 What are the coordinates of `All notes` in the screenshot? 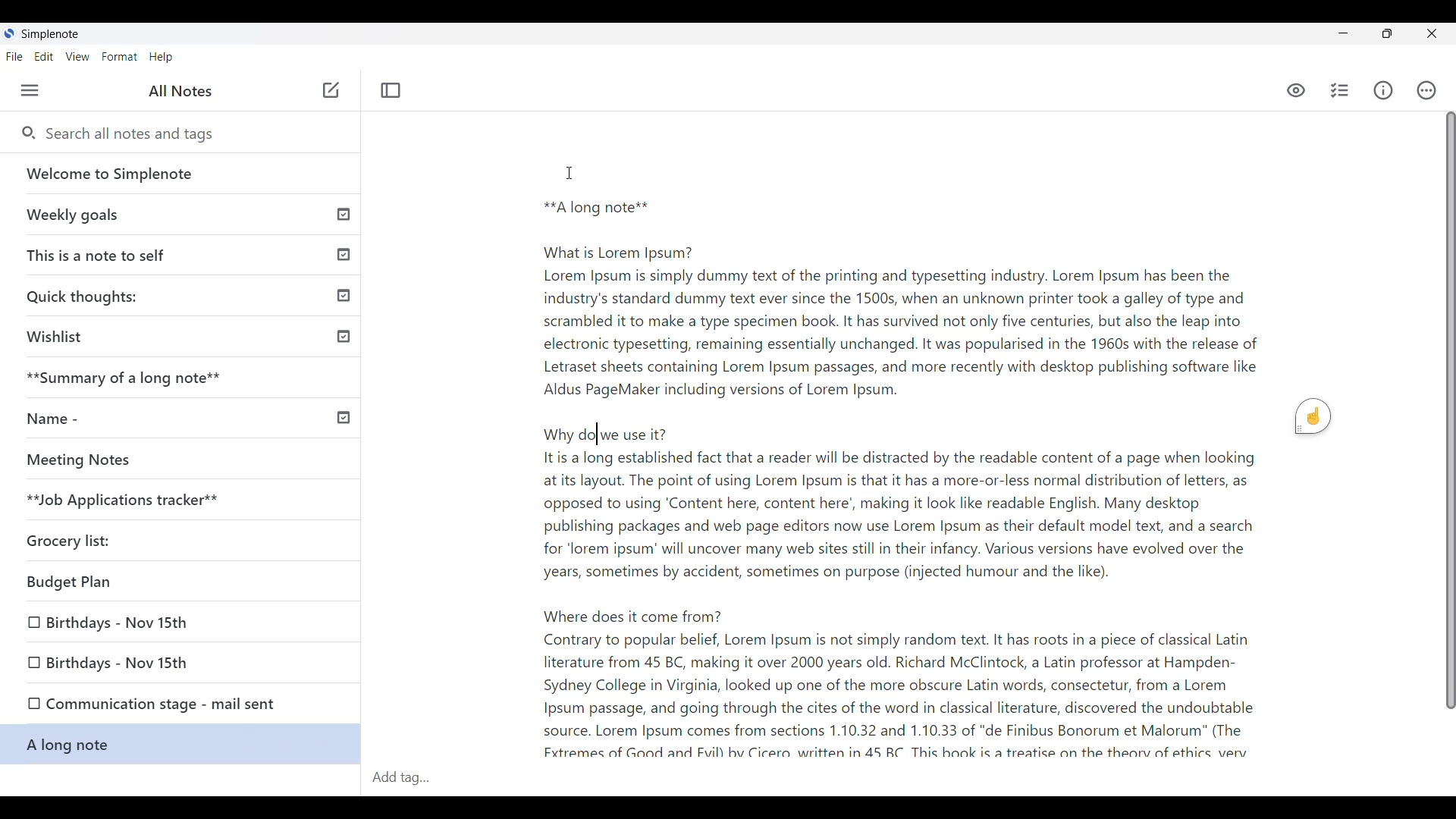 It's located at (180, 90).